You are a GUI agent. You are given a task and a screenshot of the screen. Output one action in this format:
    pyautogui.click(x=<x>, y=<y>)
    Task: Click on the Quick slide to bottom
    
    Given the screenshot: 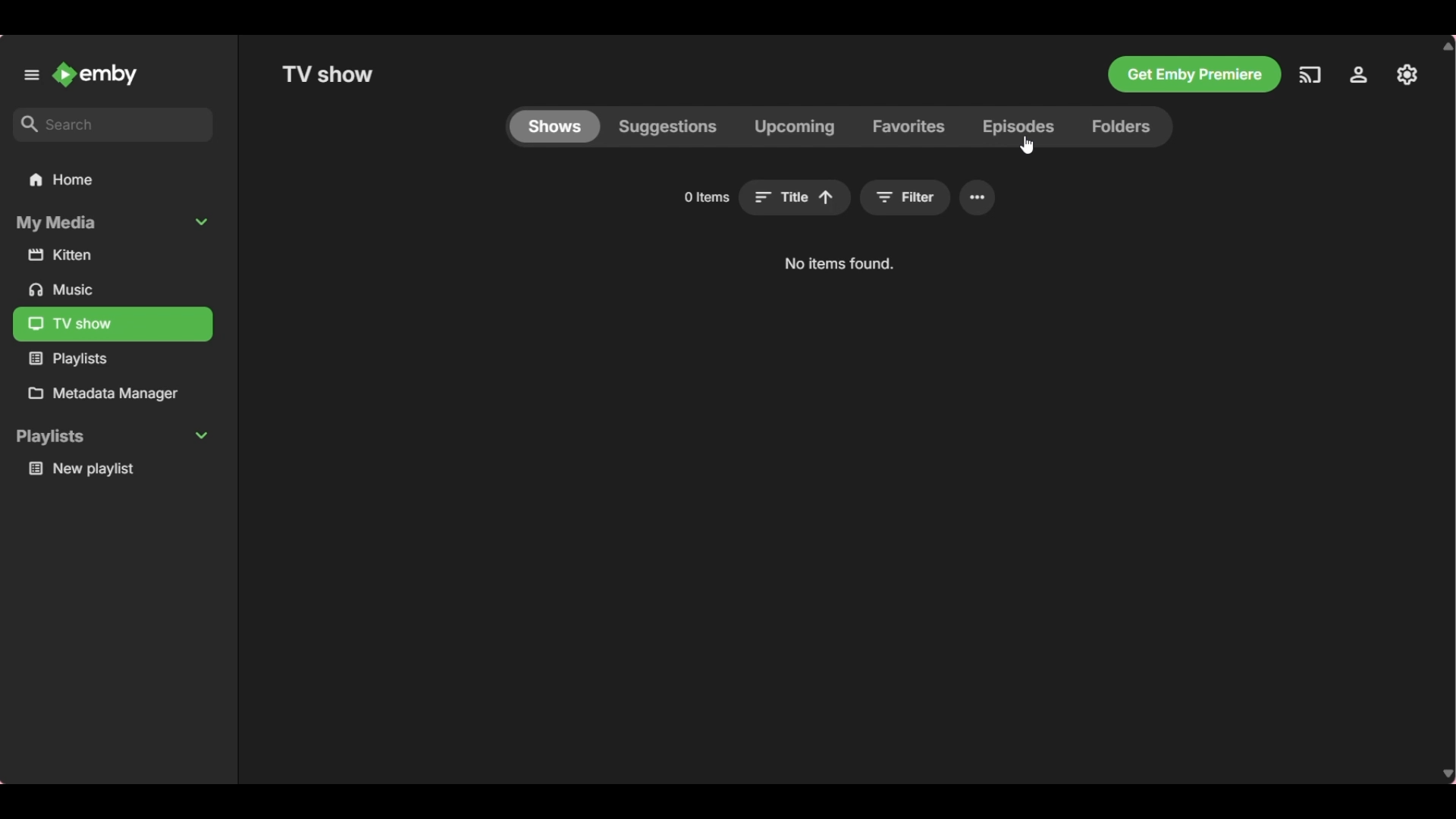 What is the action you would take?
    pyautogui.click(x=1445, y=775)
    